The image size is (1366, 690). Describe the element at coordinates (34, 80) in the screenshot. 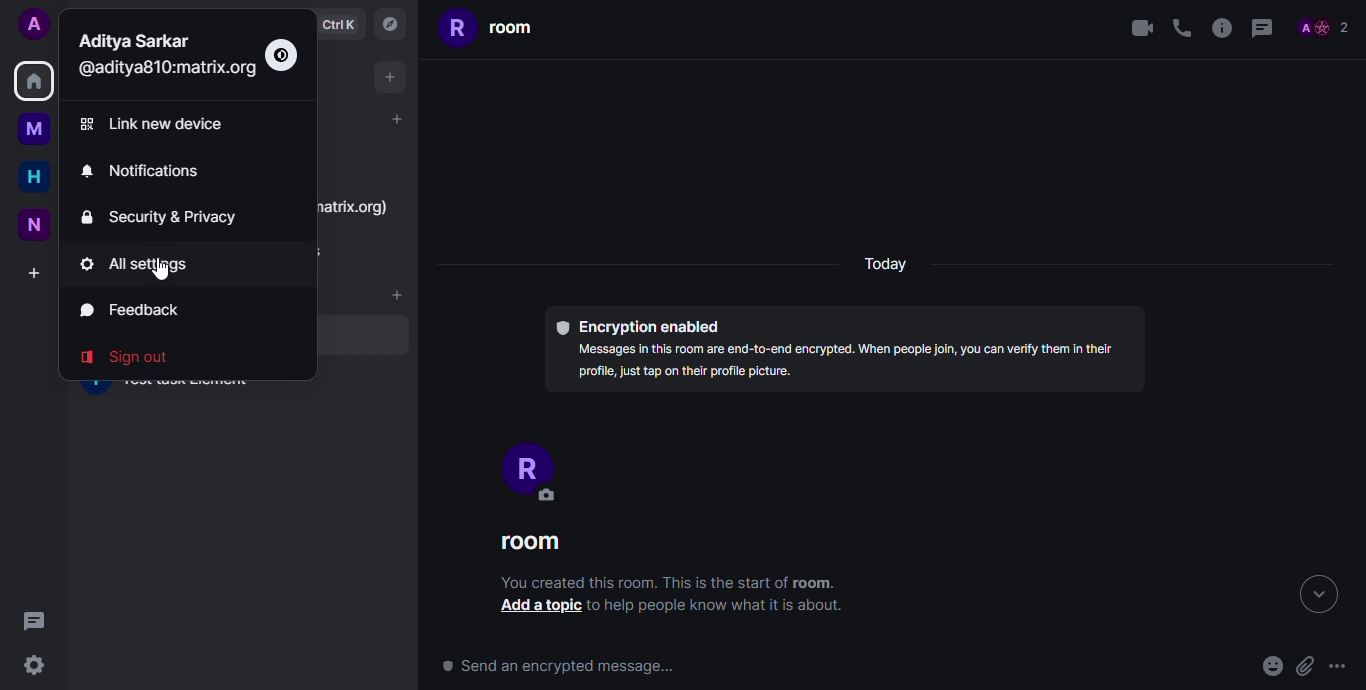

I see `home` at that location.